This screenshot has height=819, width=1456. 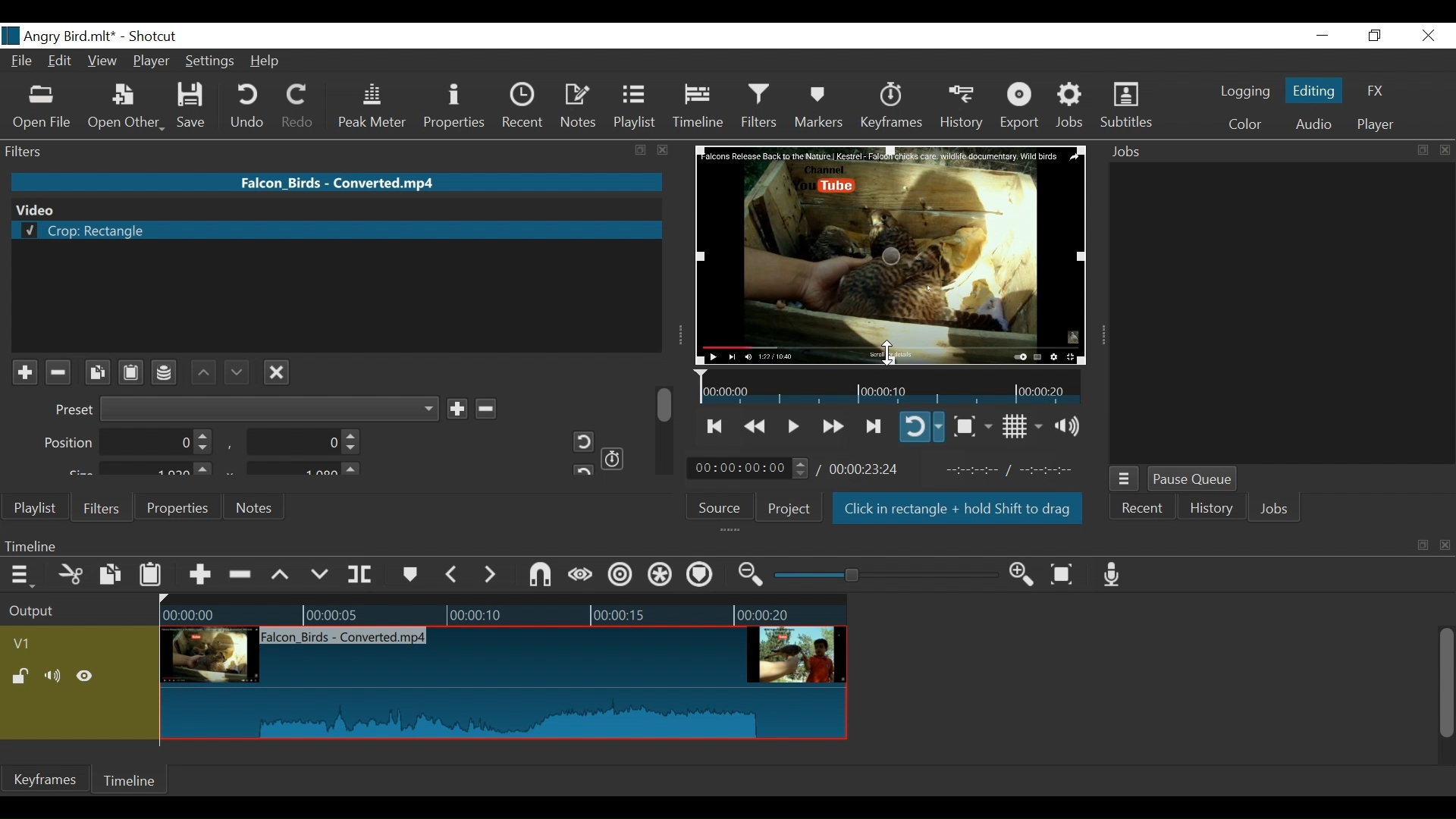 What do you see at coordinates (890, 386) in the screenshot?
I see `Timeline` at bounding box center [890, 386].